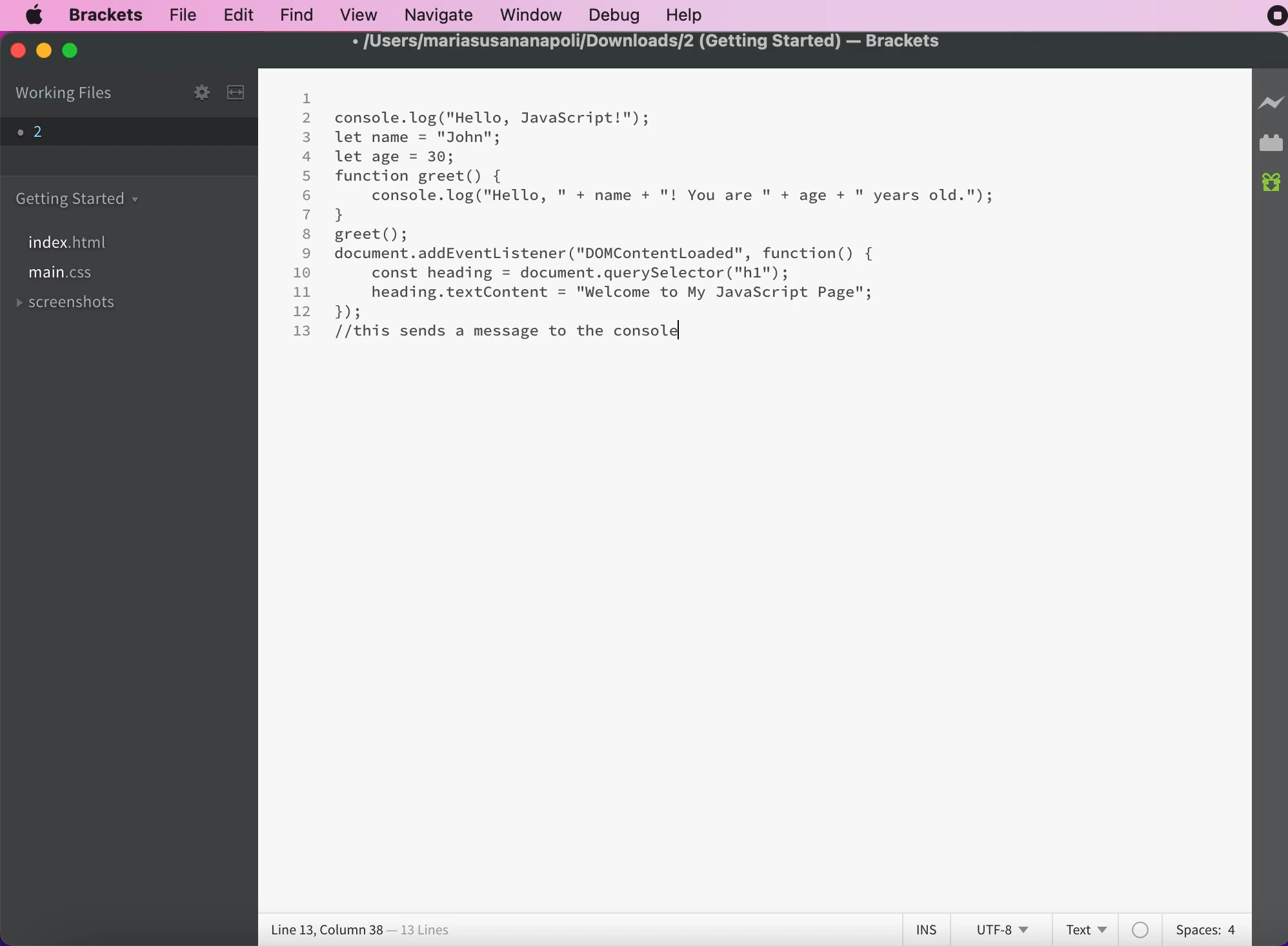 This screenshot has width=1288, height=946. I want to click on 11, so click(302, 292).